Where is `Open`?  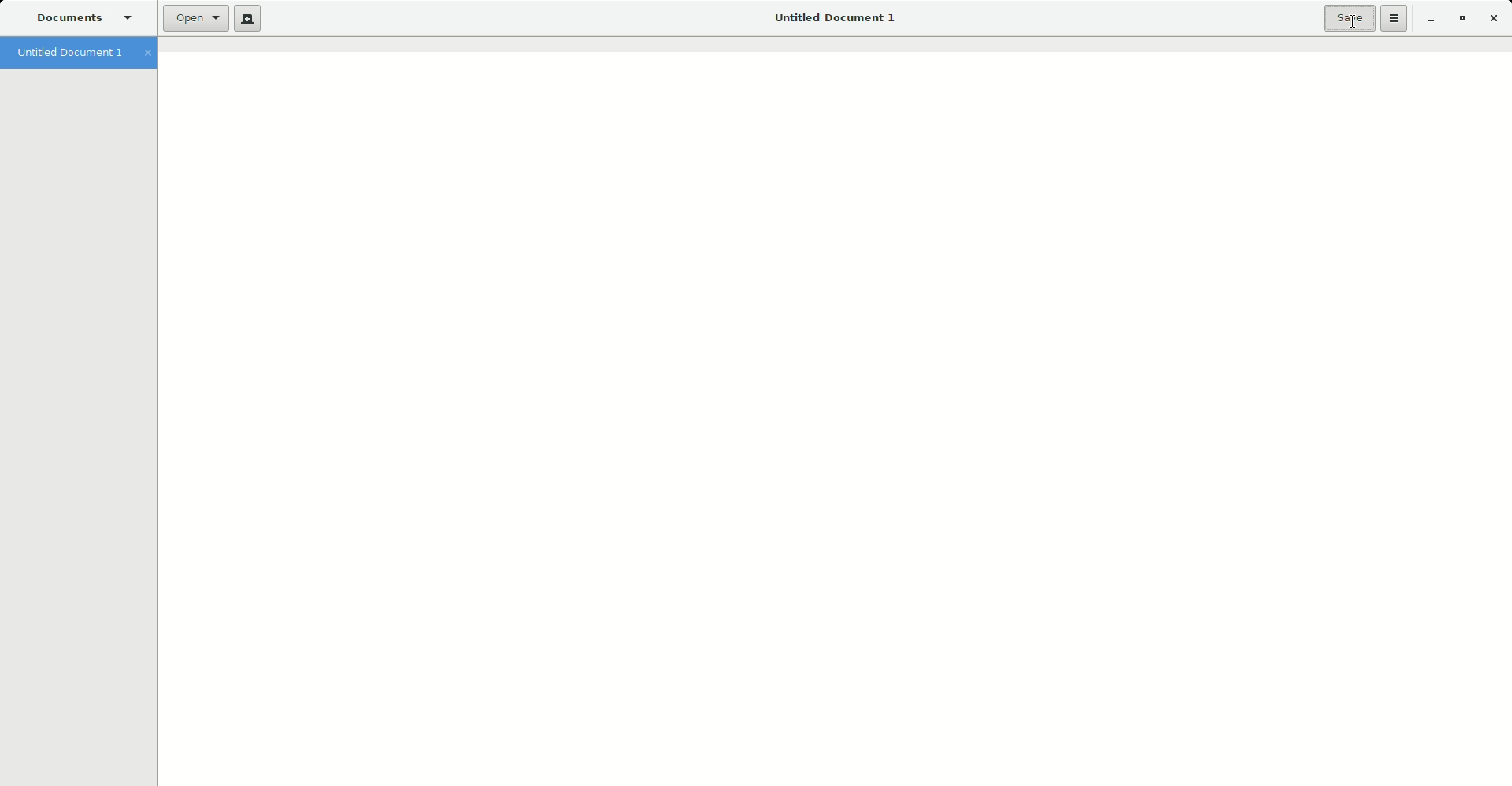 Open is located at coordinates (191, 18).